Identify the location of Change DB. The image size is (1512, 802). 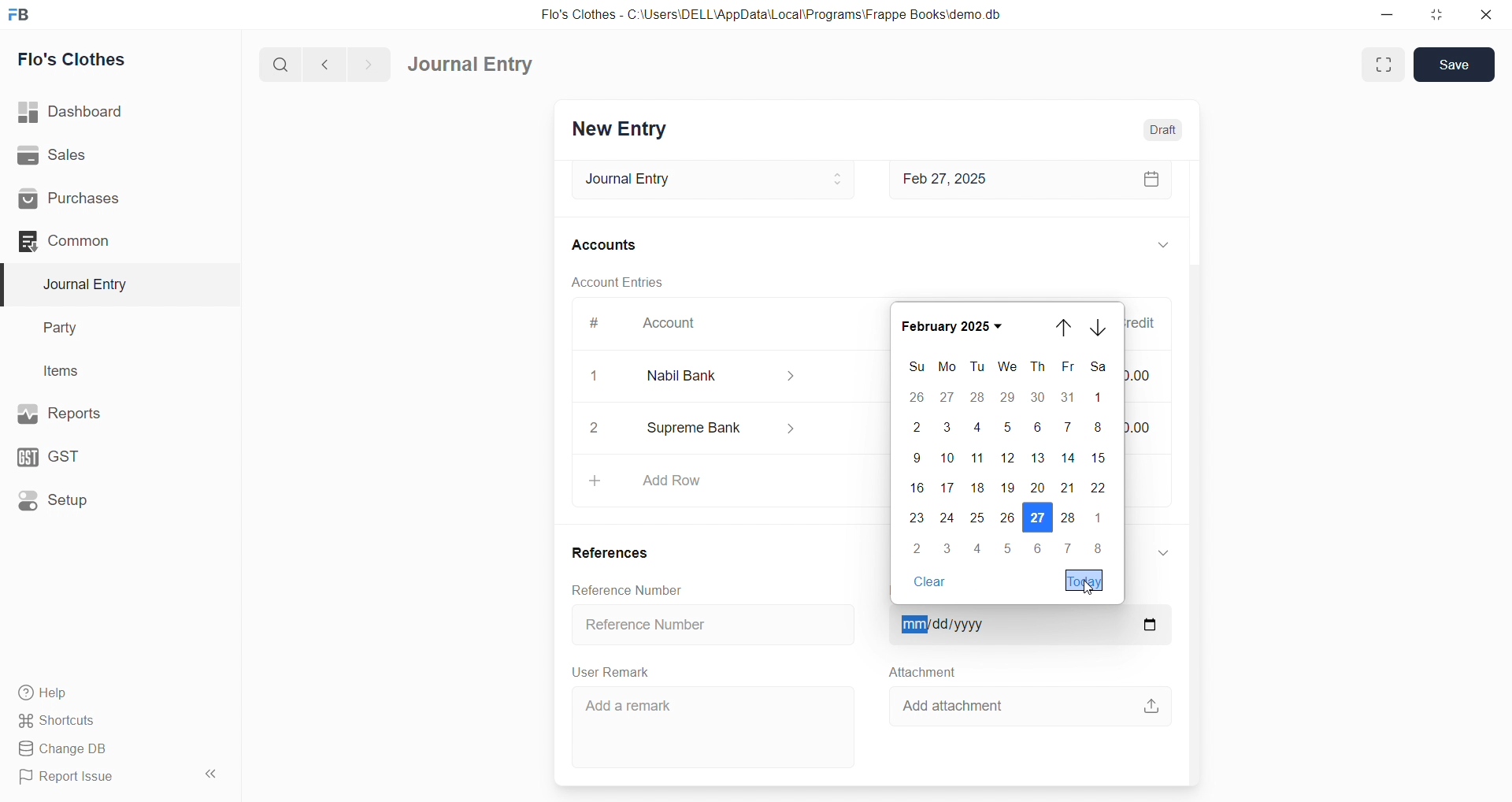
(98, 748).